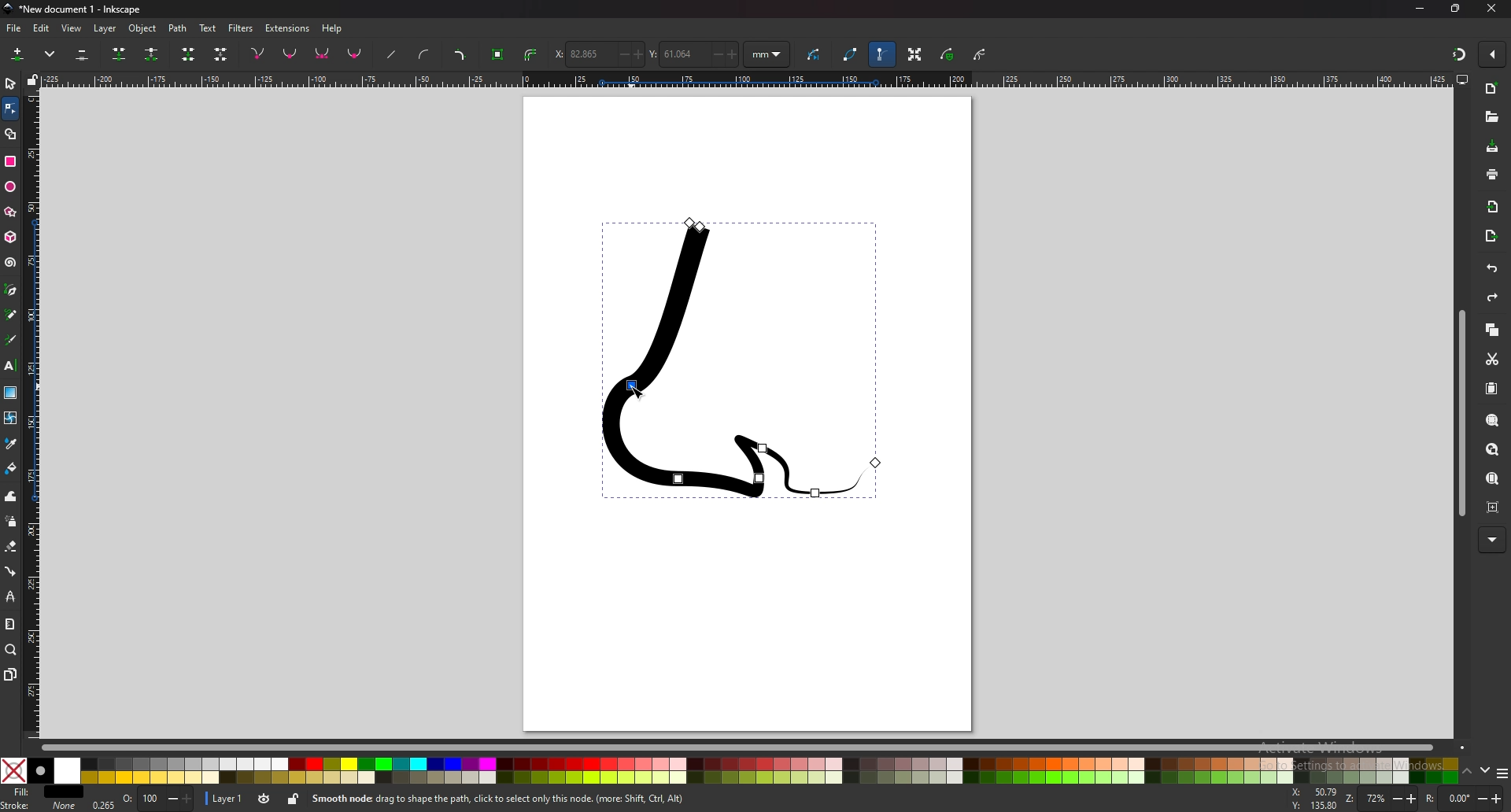 The width and height of the screenshot is (1511, 812). Describe the element at coordinates (534, 799) in the screenshot. I see `info` at that location.